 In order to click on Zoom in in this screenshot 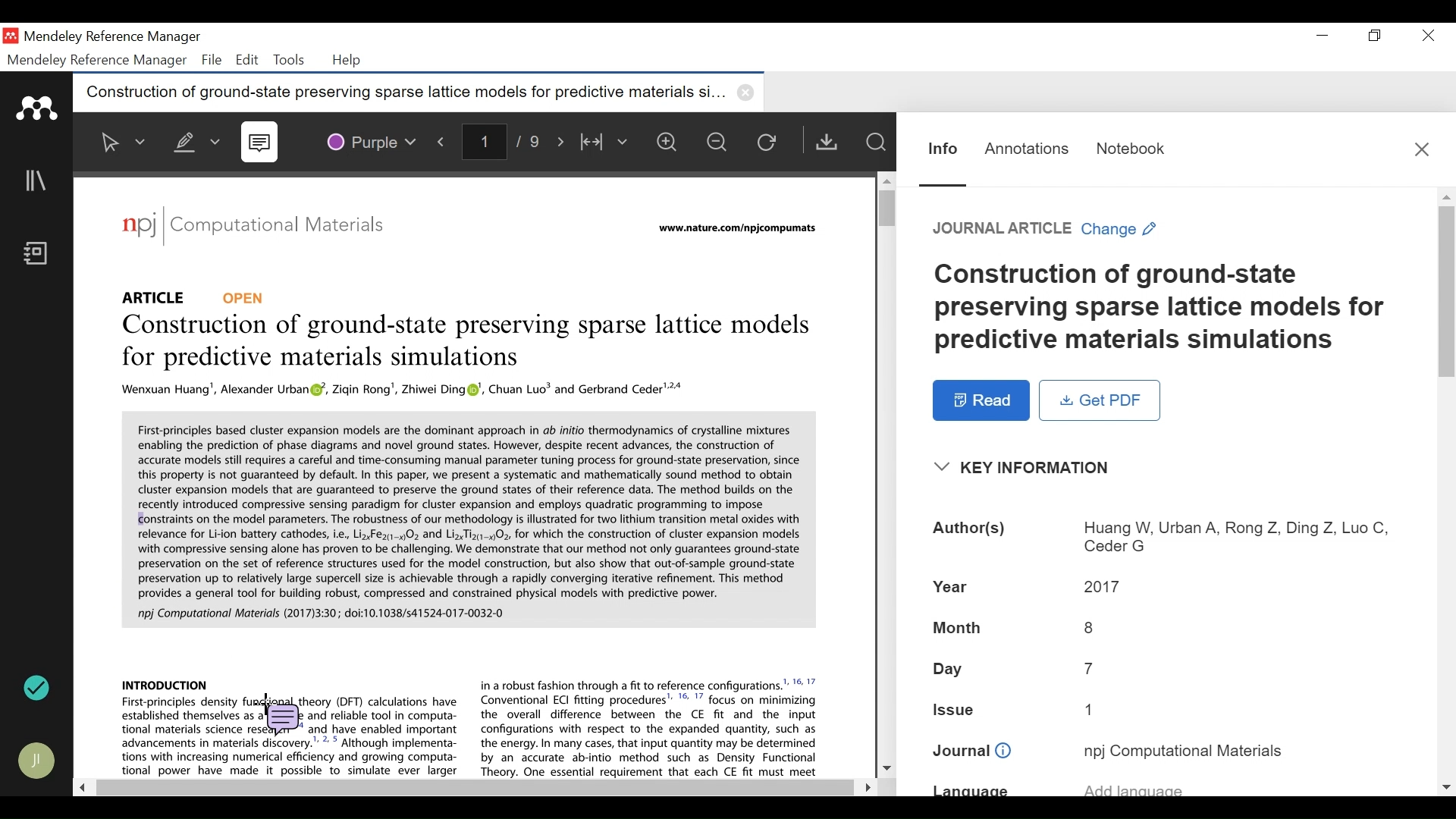, I will do `click(670, 143)`.